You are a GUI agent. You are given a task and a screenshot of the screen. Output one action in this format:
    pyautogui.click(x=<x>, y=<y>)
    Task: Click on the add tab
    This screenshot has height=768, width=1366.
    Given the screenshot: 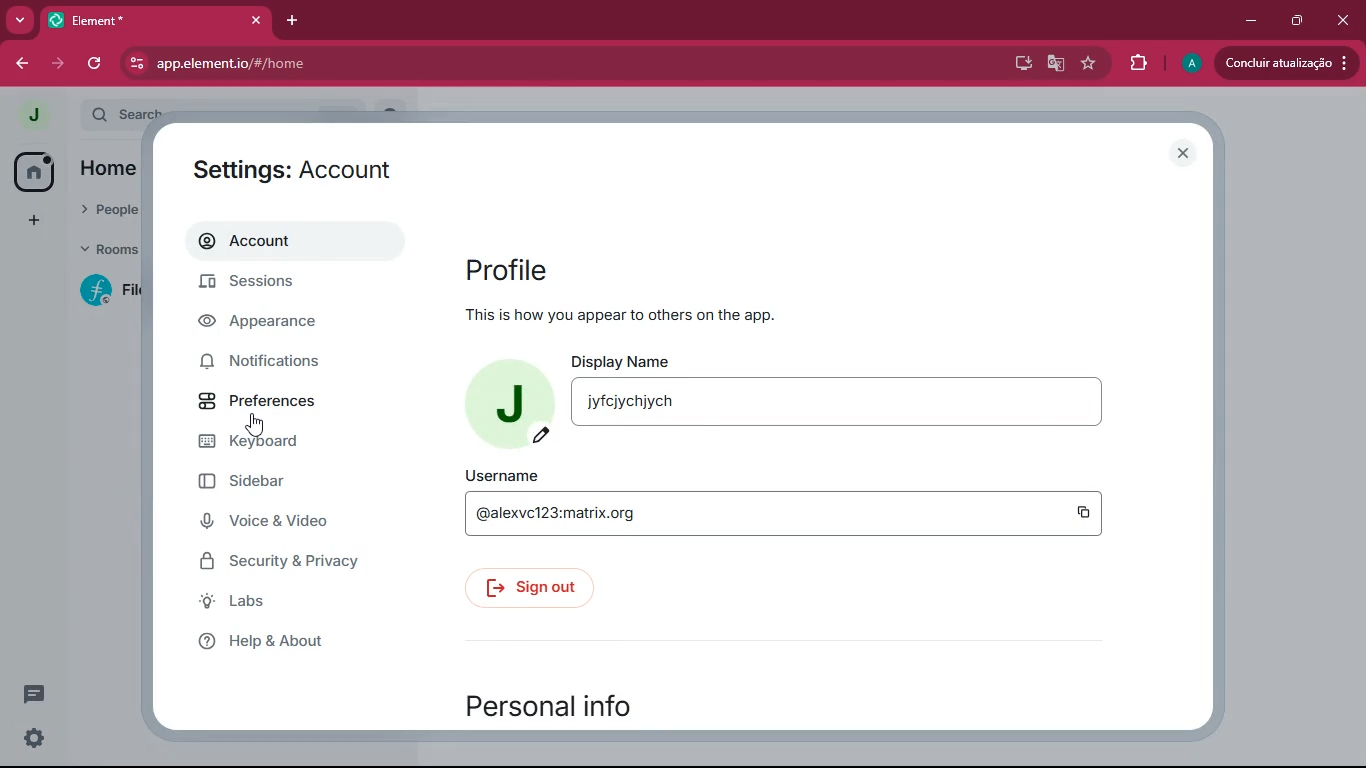 What is the action you would take?
    pyautogui.click(x=293, y=20)
    